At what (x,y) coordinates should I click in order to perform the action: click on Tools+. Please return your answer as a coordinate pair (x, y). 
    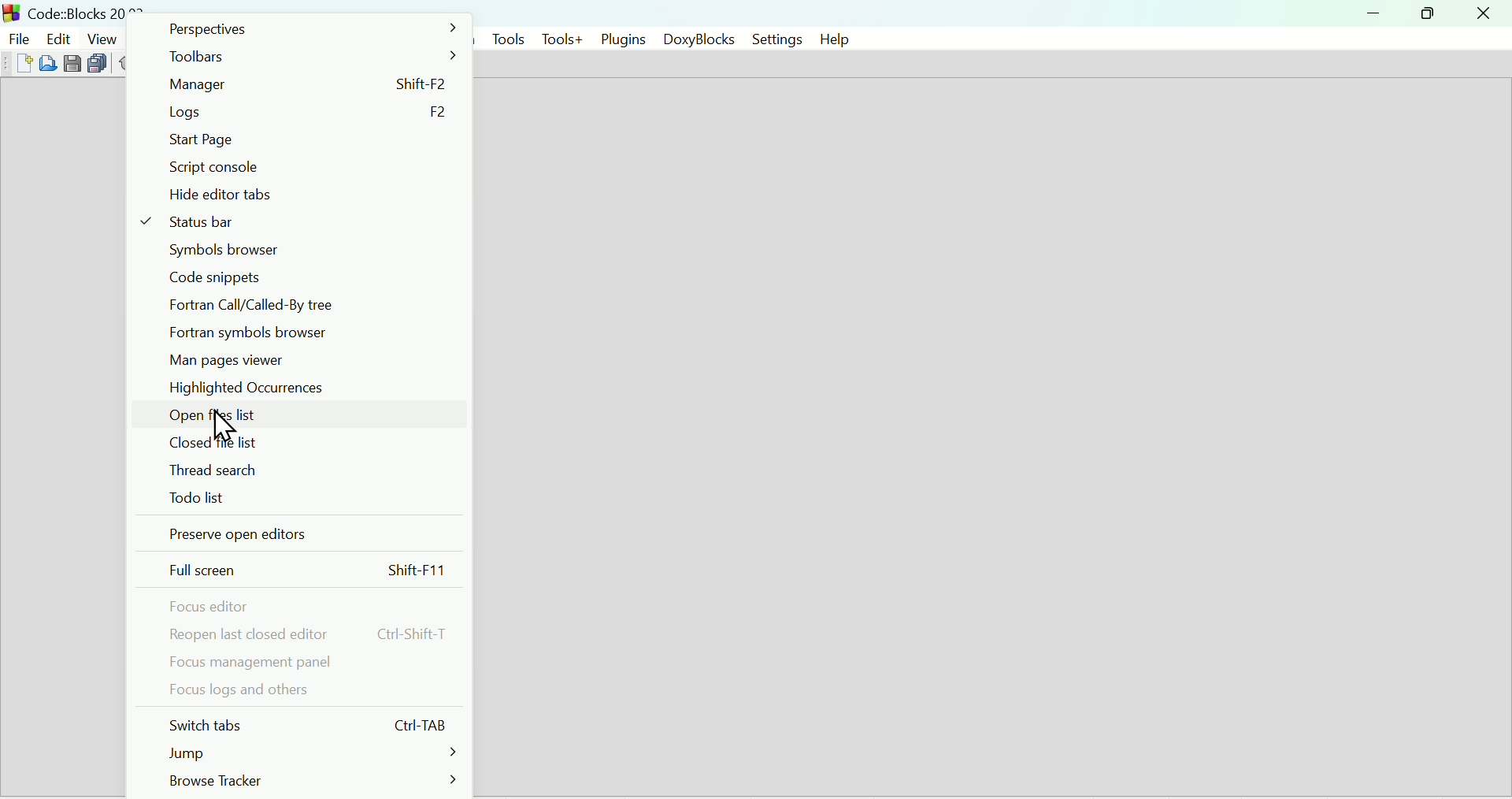
    Looking at the image, I should click on (562, 39).